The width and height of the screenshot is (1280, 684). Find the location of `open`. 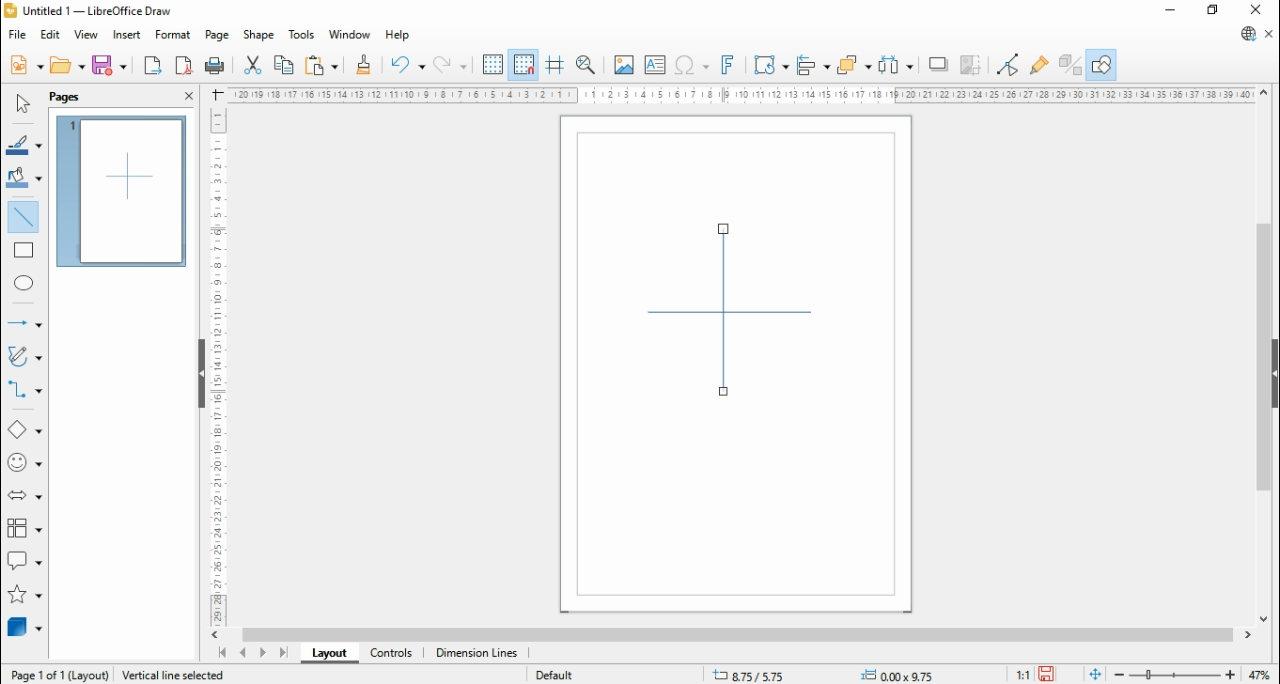

open is located at coordinates (69, 65).